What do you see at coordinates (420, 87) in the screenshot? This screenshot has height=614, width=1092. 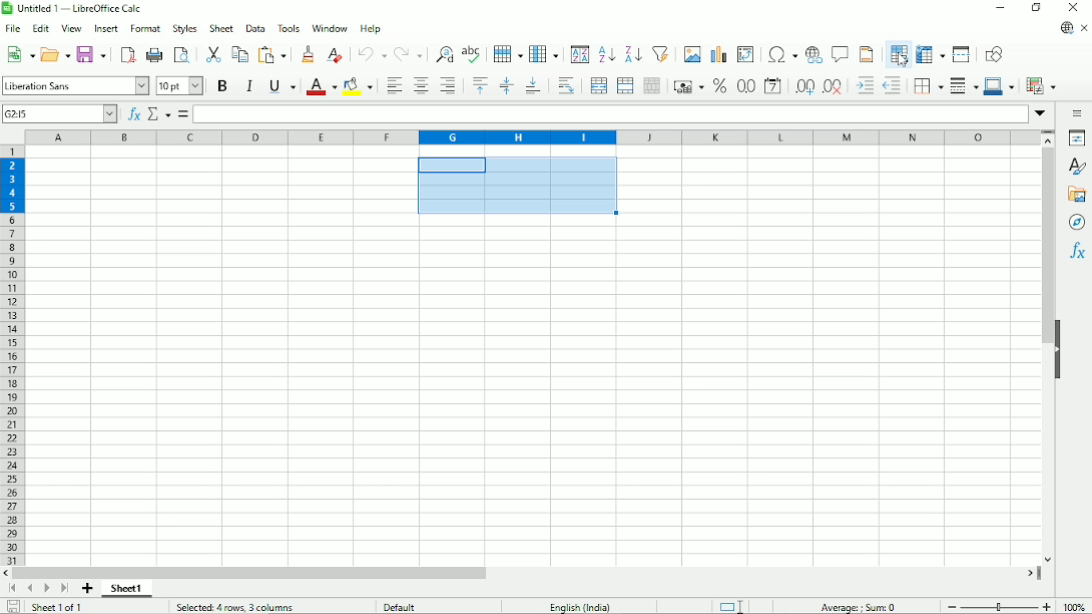 I see `Align center` at bounding box center [420, 87].